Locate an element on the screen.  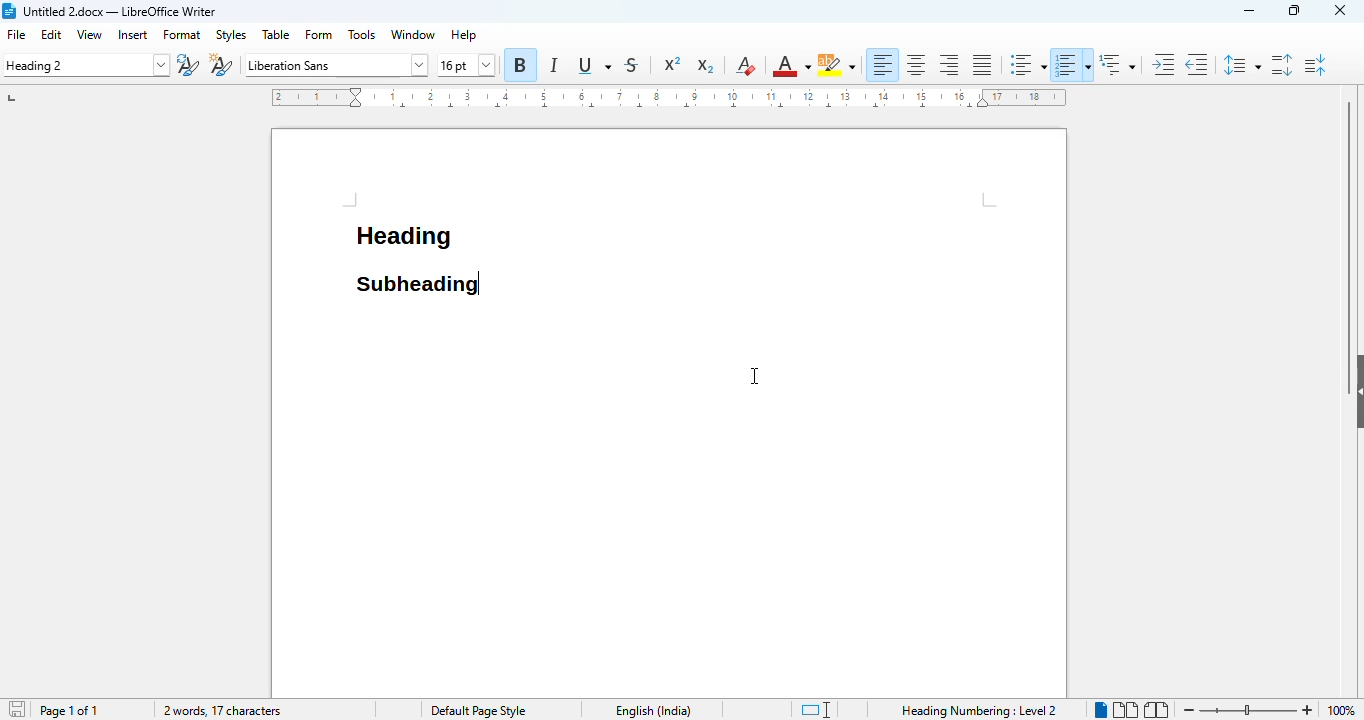
form is located at coordinates (320, 34).